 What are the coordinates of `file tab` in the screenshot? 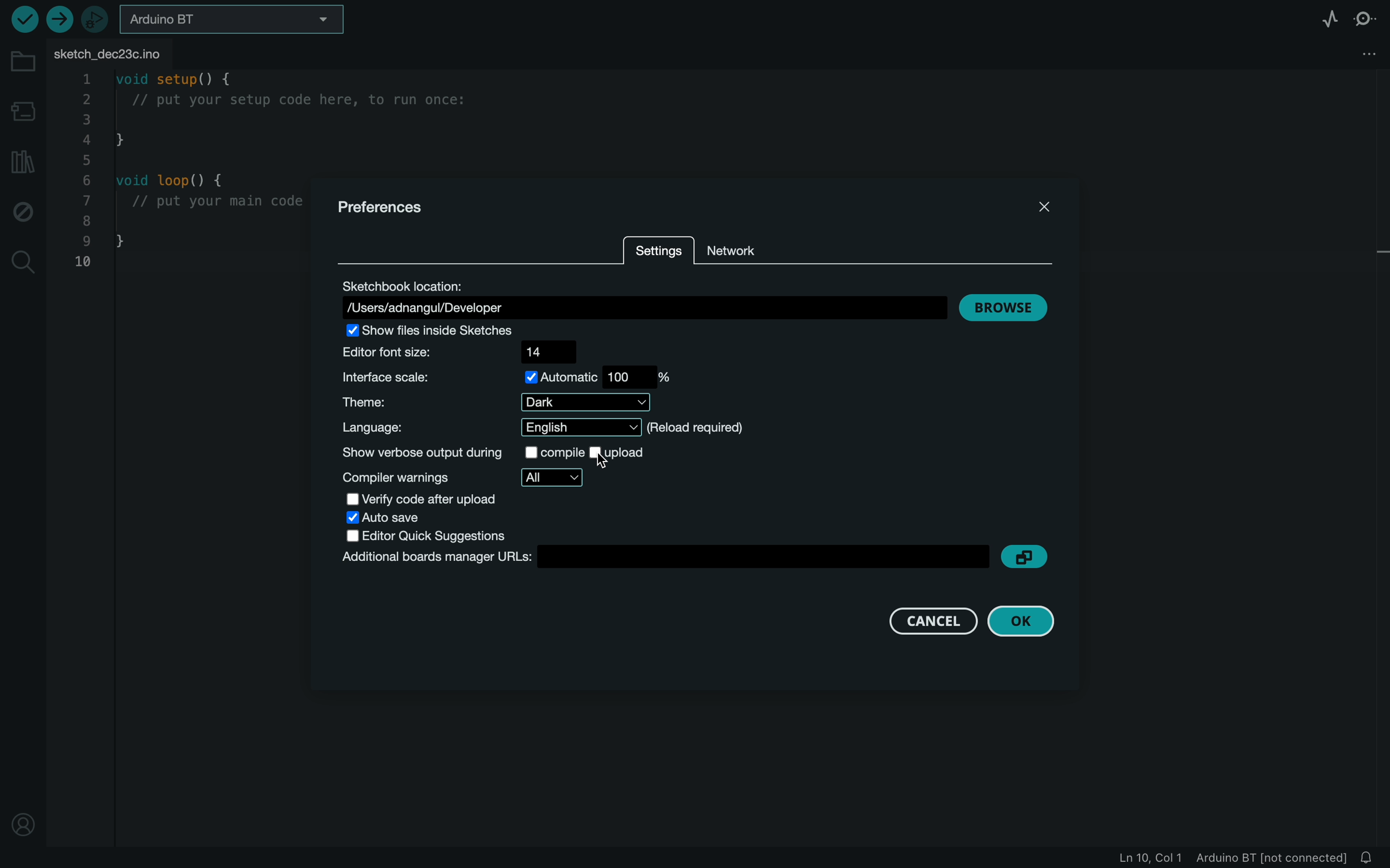 It's located at (132, 51).